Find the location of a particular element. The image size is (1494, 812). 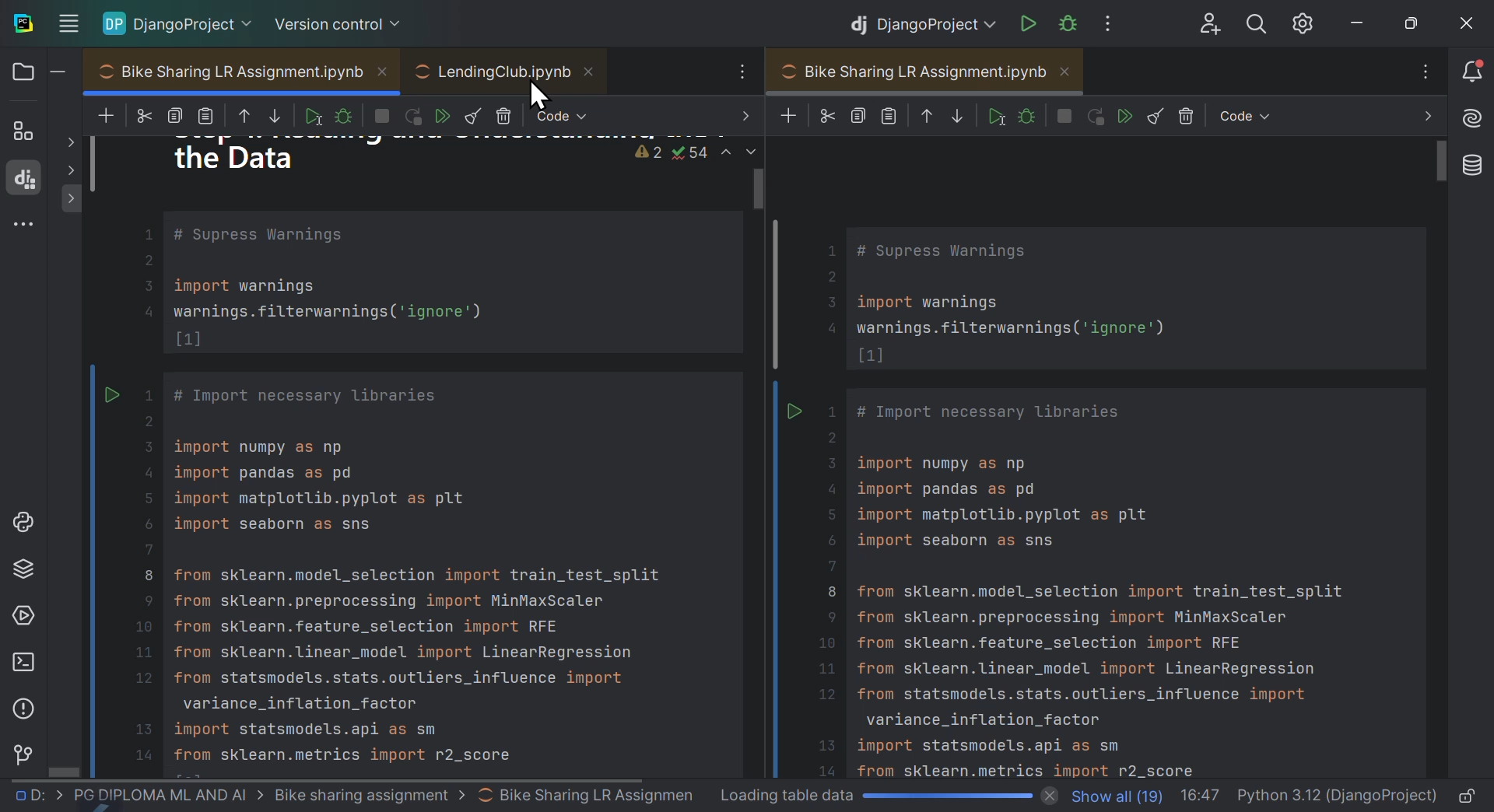

Code is located at coordinates (570, 114).